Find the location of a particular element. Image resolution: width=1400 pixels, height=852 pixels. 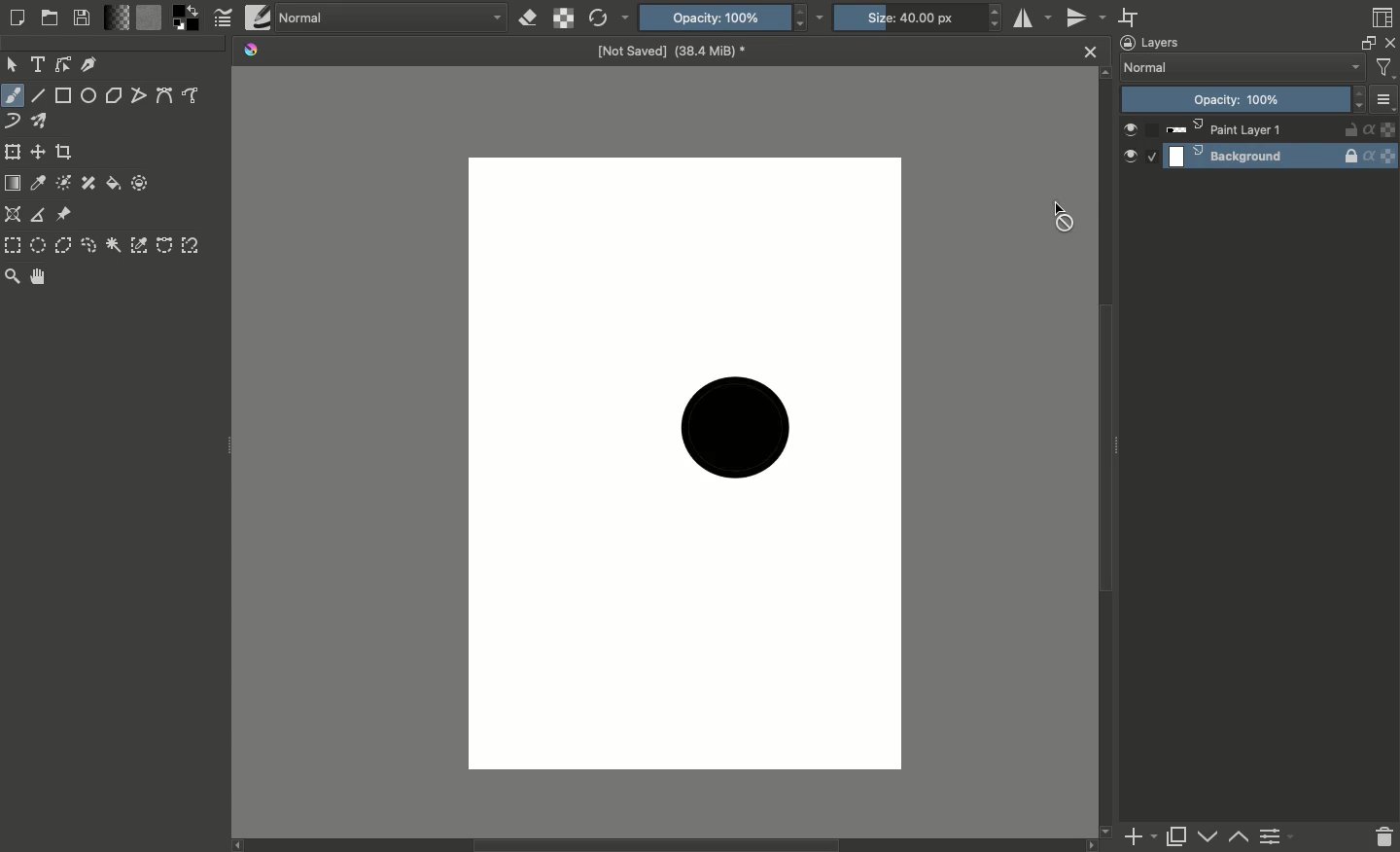

Text is located at coordinates (40, 65).